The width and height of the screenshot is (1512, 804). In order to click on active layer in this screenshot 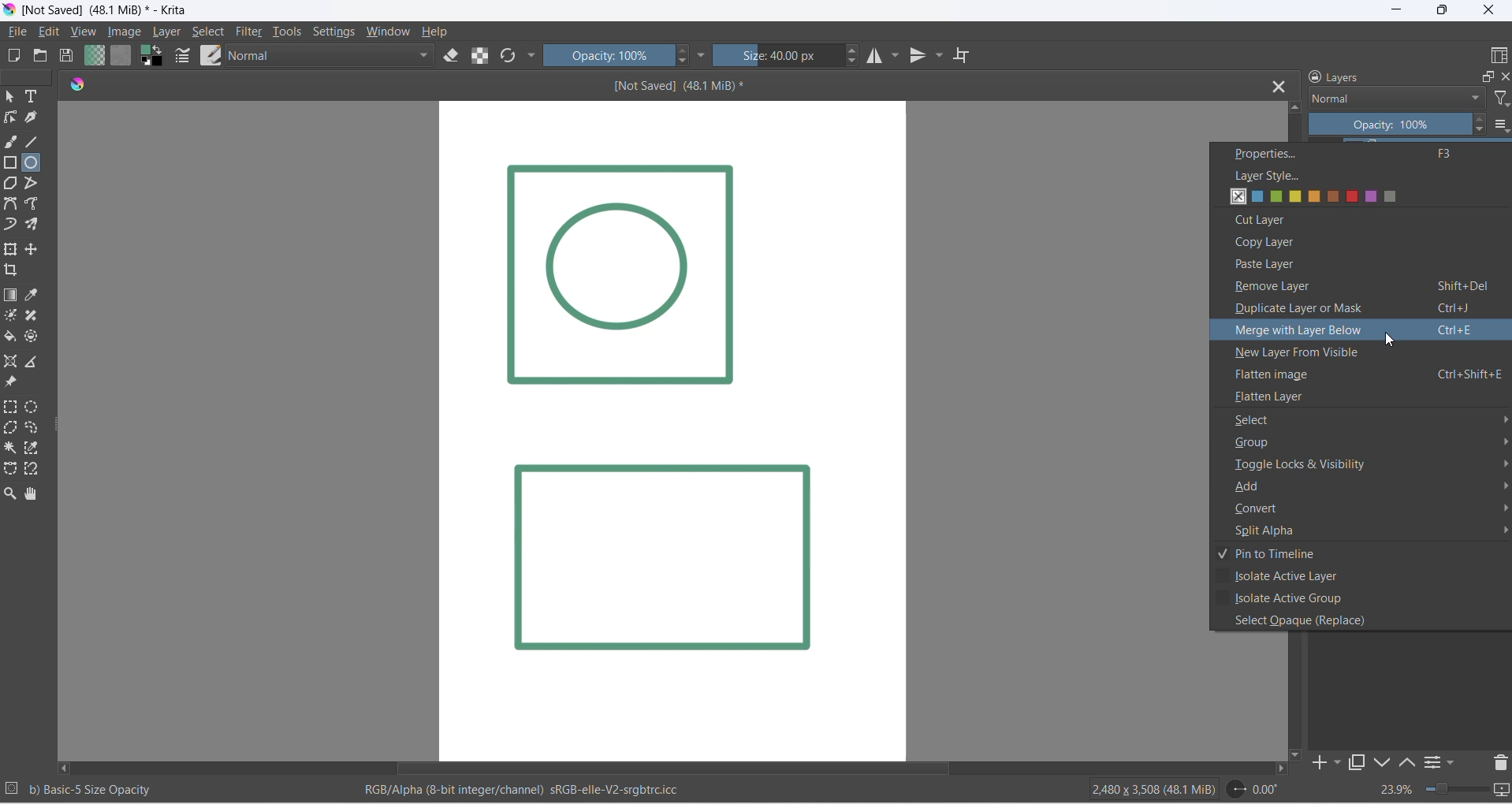, I will do `click(1364, 577)`.